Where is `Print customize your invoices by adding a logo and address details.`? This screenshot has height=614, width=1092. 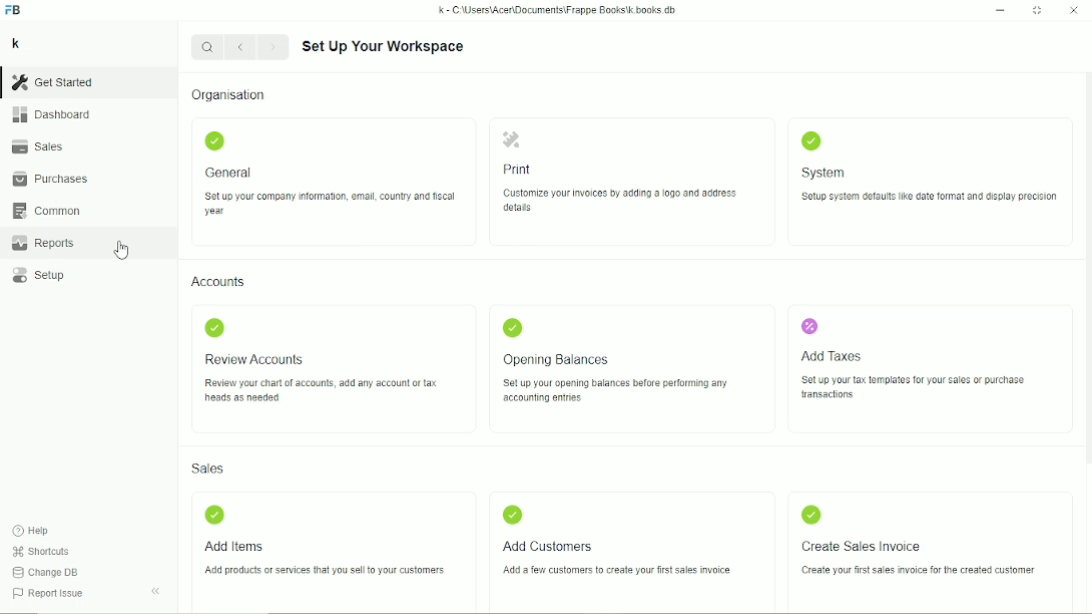 Print customize your invoices by adding a logo and address details. is located at coordinates (620, 172).